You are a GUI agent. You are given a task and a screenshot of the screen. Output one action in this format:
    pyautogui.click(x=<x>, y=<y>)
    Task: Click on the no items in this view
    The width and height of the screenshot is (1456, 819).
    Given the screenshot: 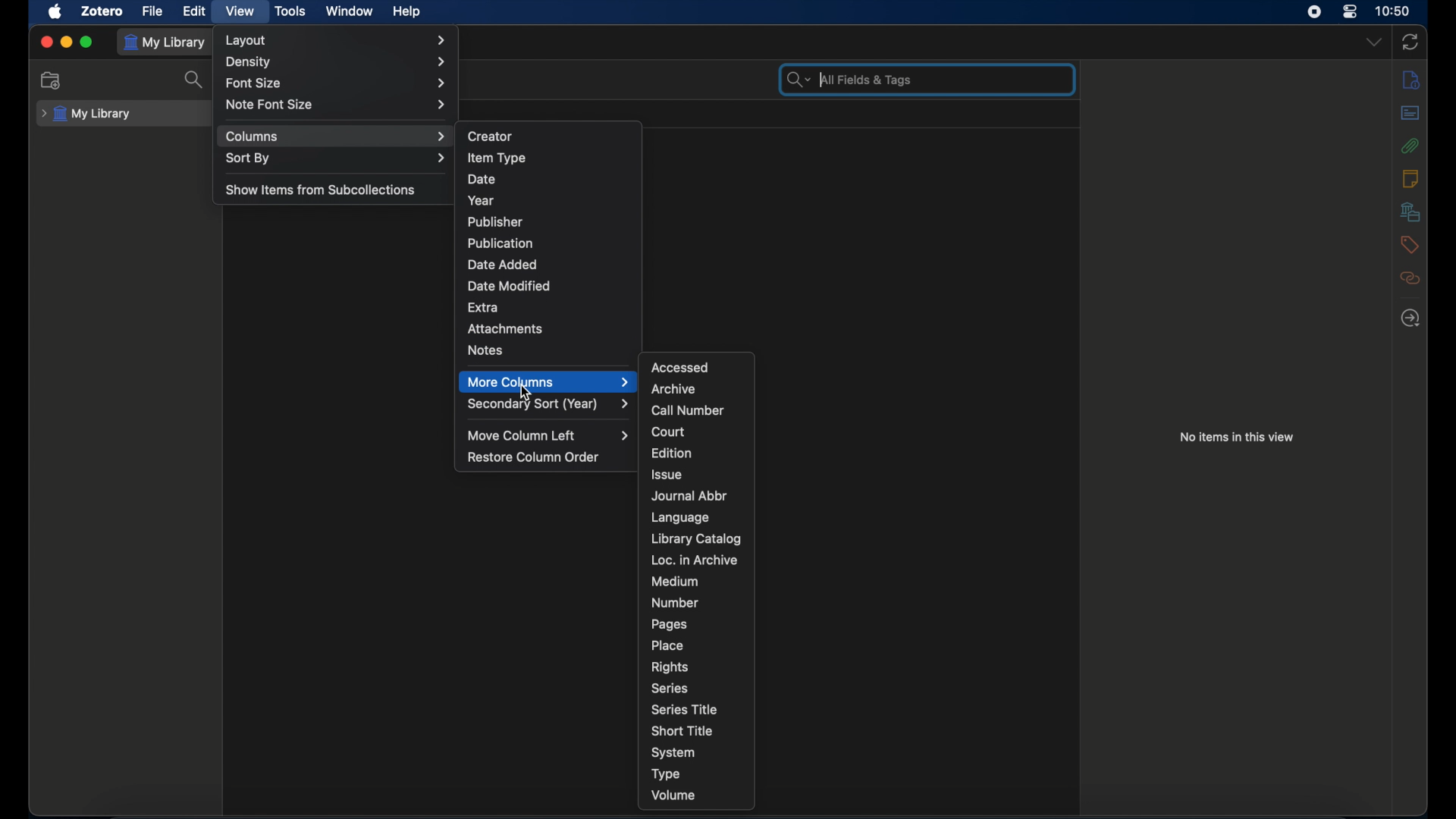 What is the action you would take?
    pyautogui.click(x=1238, y=437)
    